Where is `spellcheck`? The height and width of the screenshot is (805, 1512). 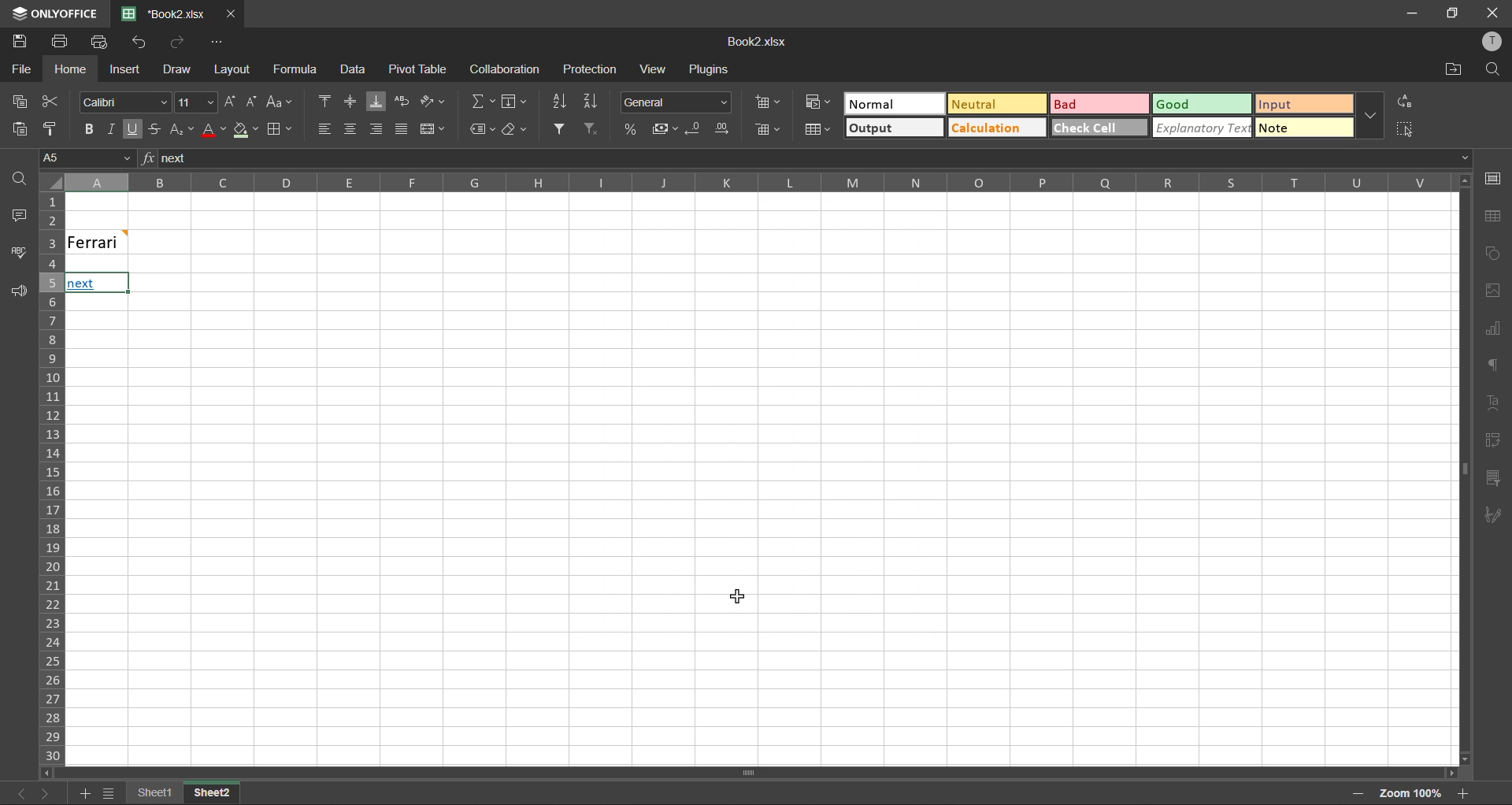
spellcheck is located at coordinates (24, 254).